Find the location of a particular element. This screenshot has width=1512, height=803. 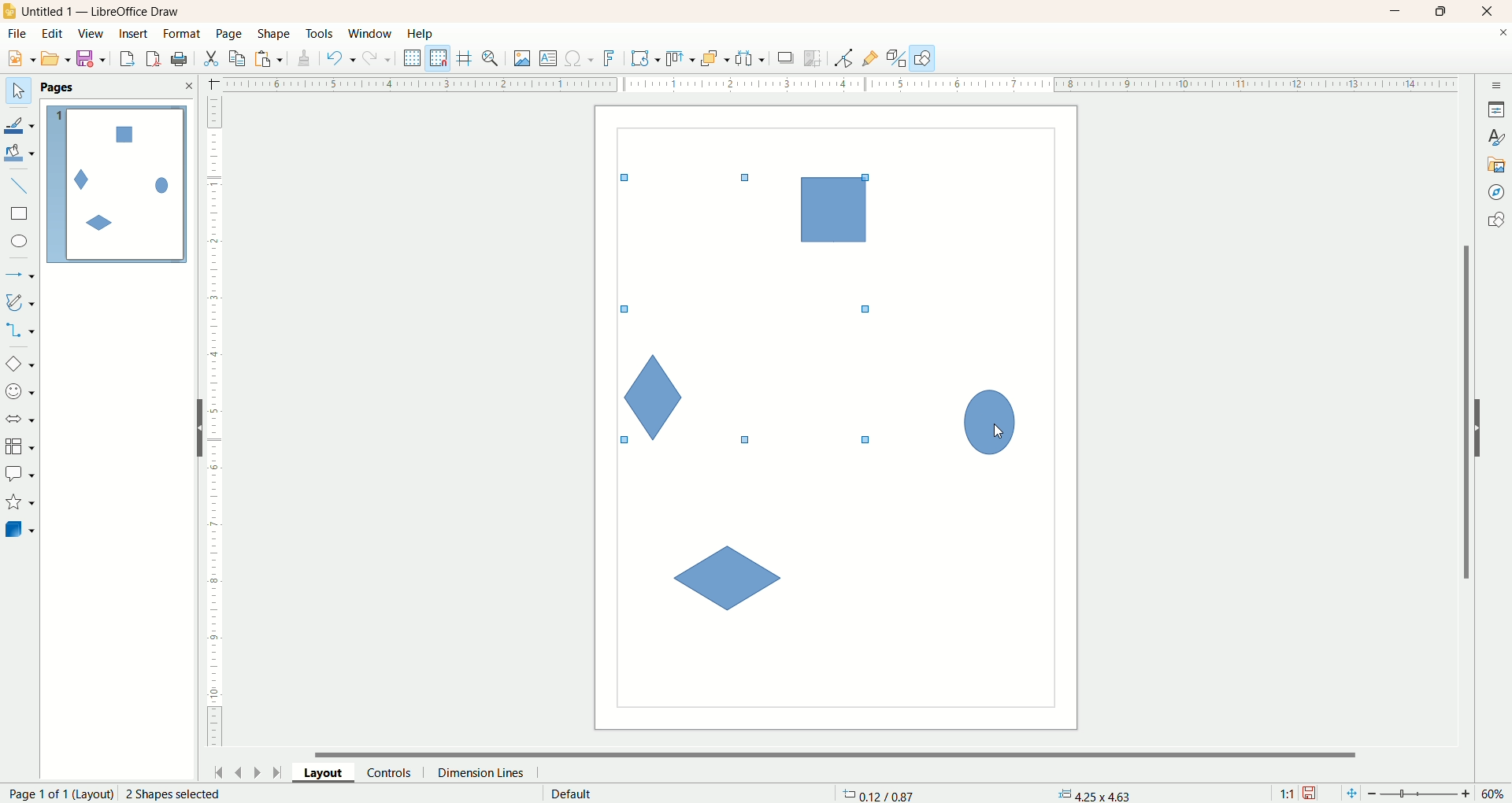

point edit mode is located at coordinates (843, 59).